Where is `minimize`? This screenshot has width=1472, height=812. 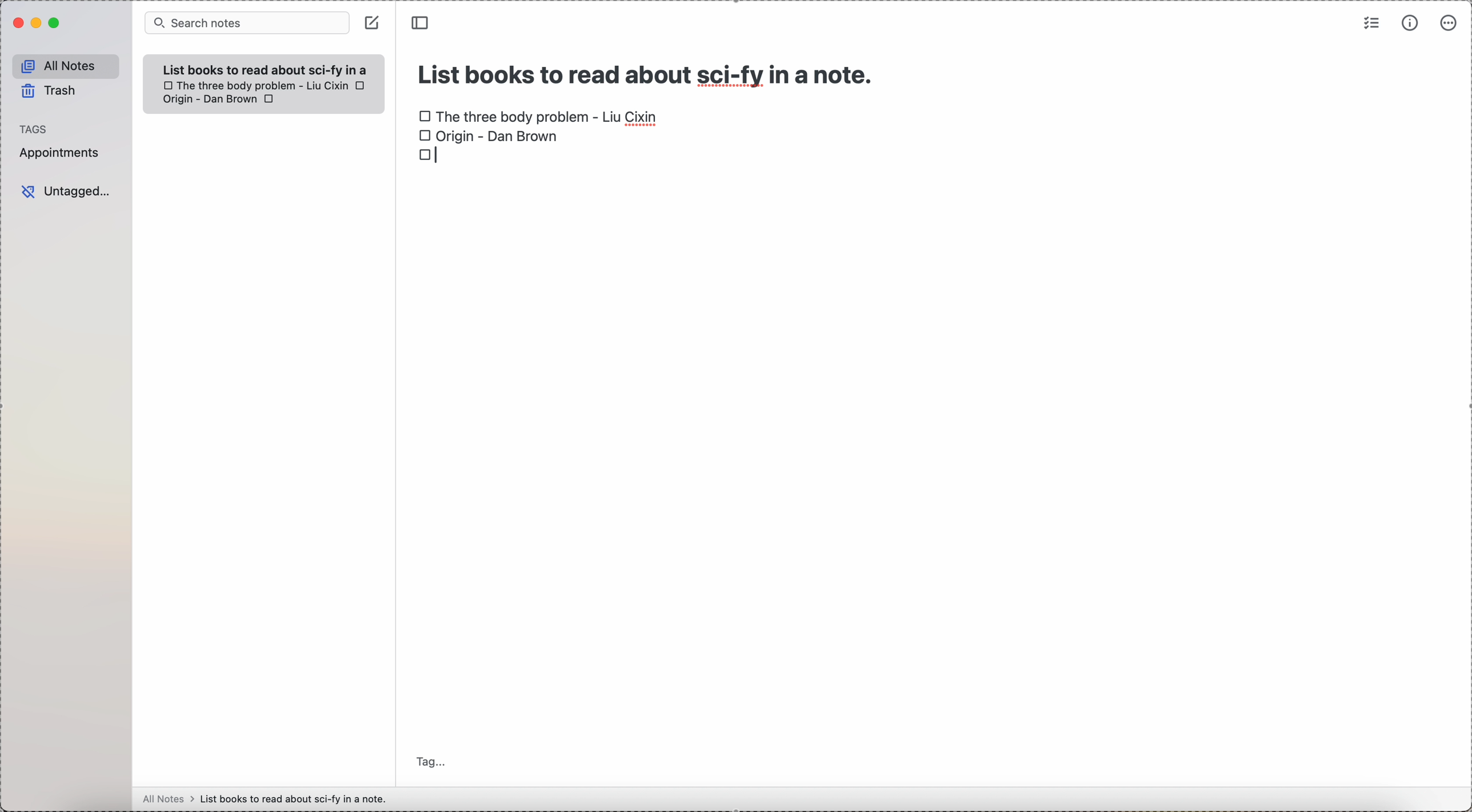 minimize is located at coordinates (34, 23).